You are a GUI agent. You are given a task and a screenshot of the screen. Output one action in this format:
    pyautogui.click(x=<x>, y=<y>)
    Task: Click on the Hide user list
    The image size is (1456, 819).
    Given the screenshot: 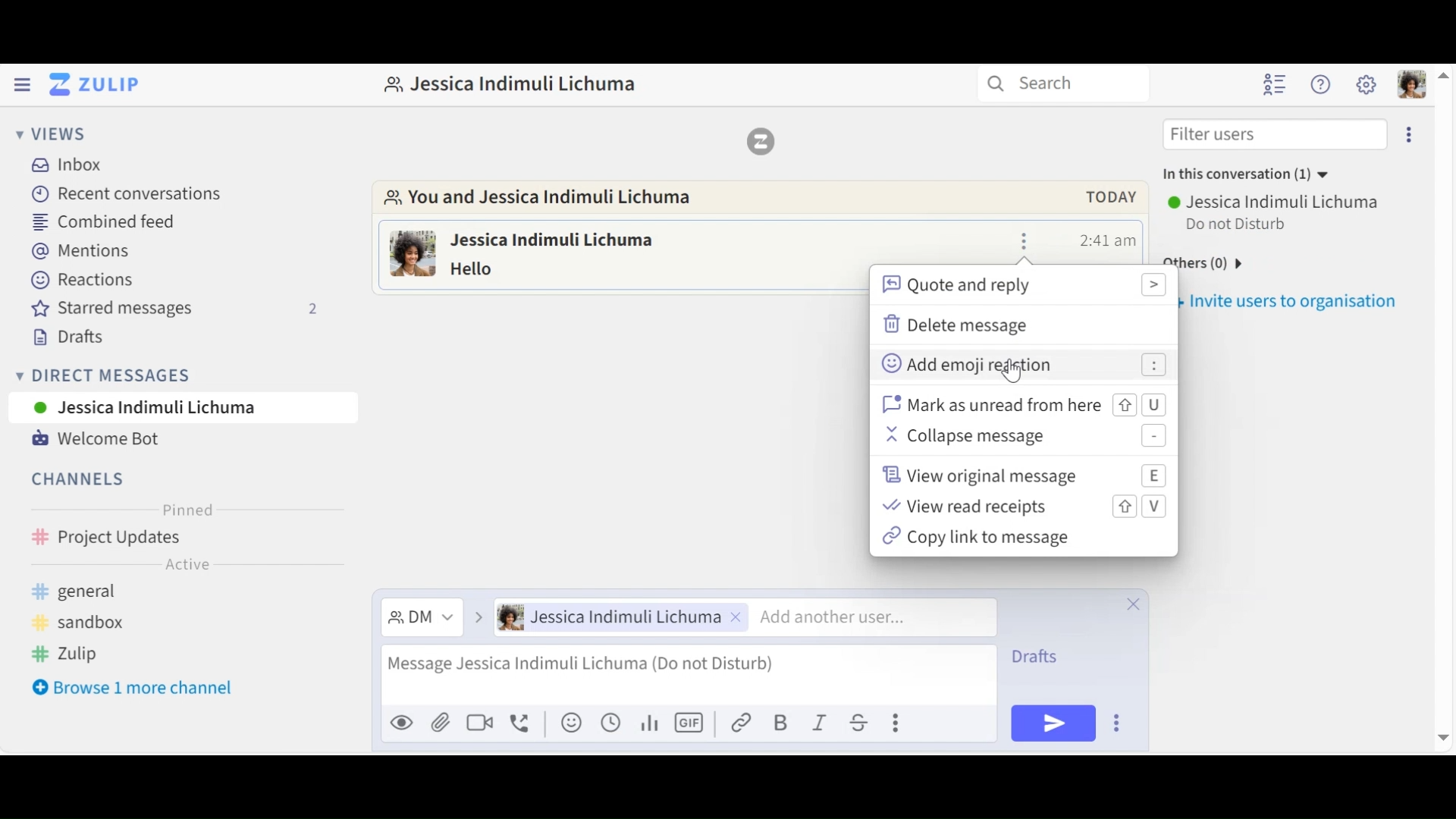 What is the action you would take?
    pyautogui.click(x=1275, y=85)
    